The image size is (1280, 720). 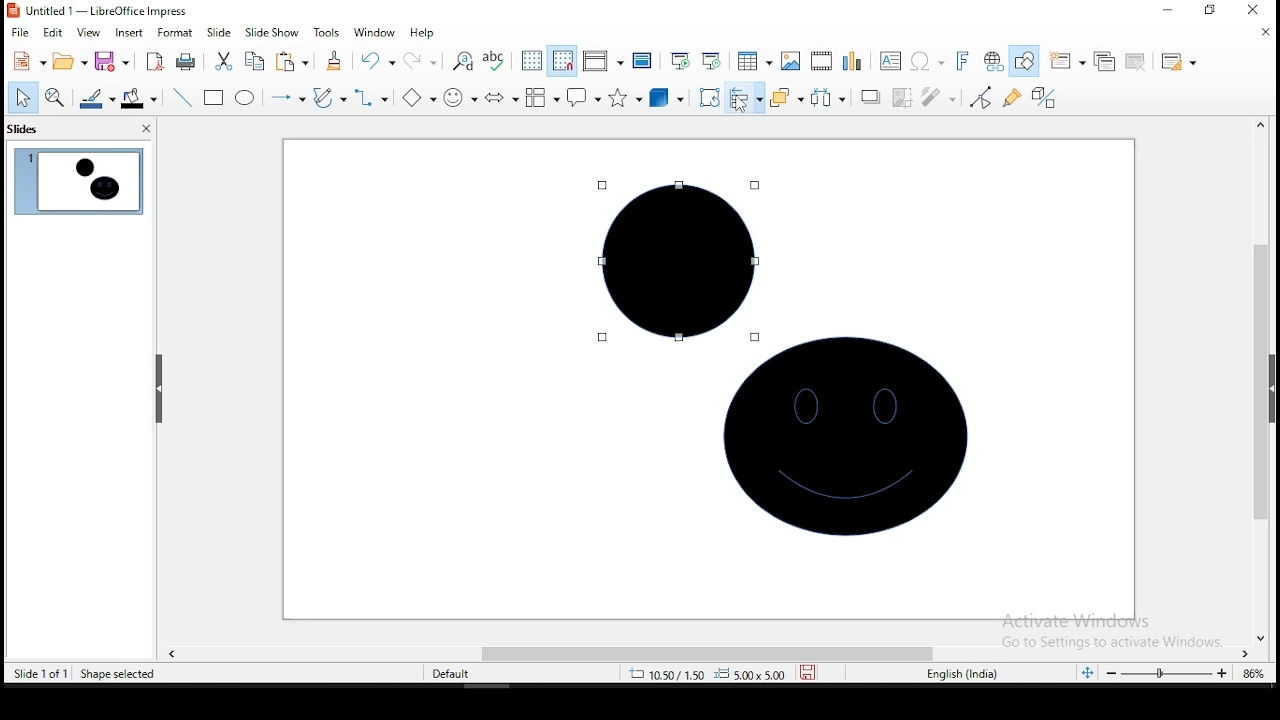 What do you see at coordinates (1168, 10) in the screenshot?
I see `minimize` at bounding box center [1168, 10].